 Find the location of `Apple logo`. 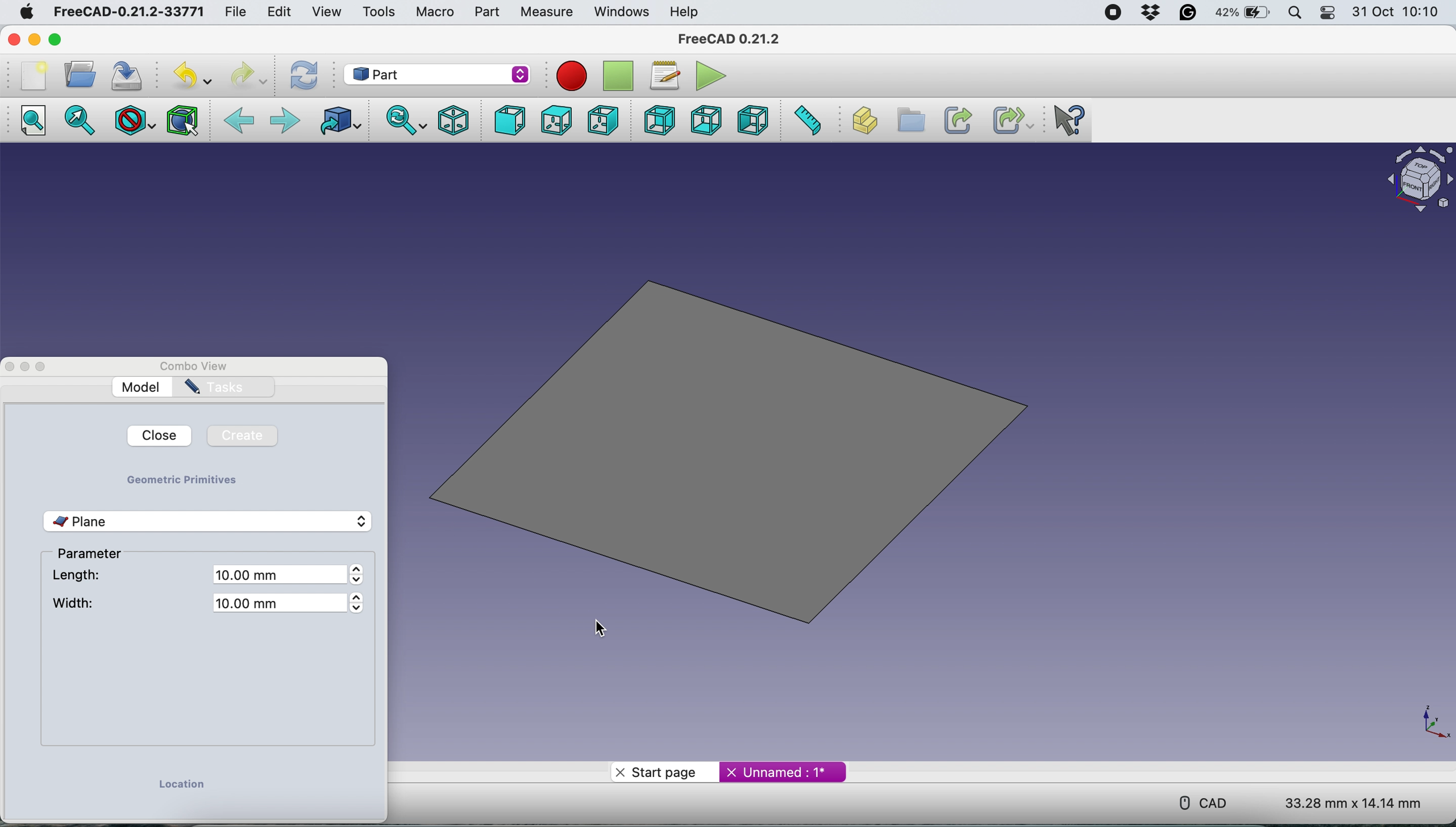

Apple logo is located at coordinates (30, 12).